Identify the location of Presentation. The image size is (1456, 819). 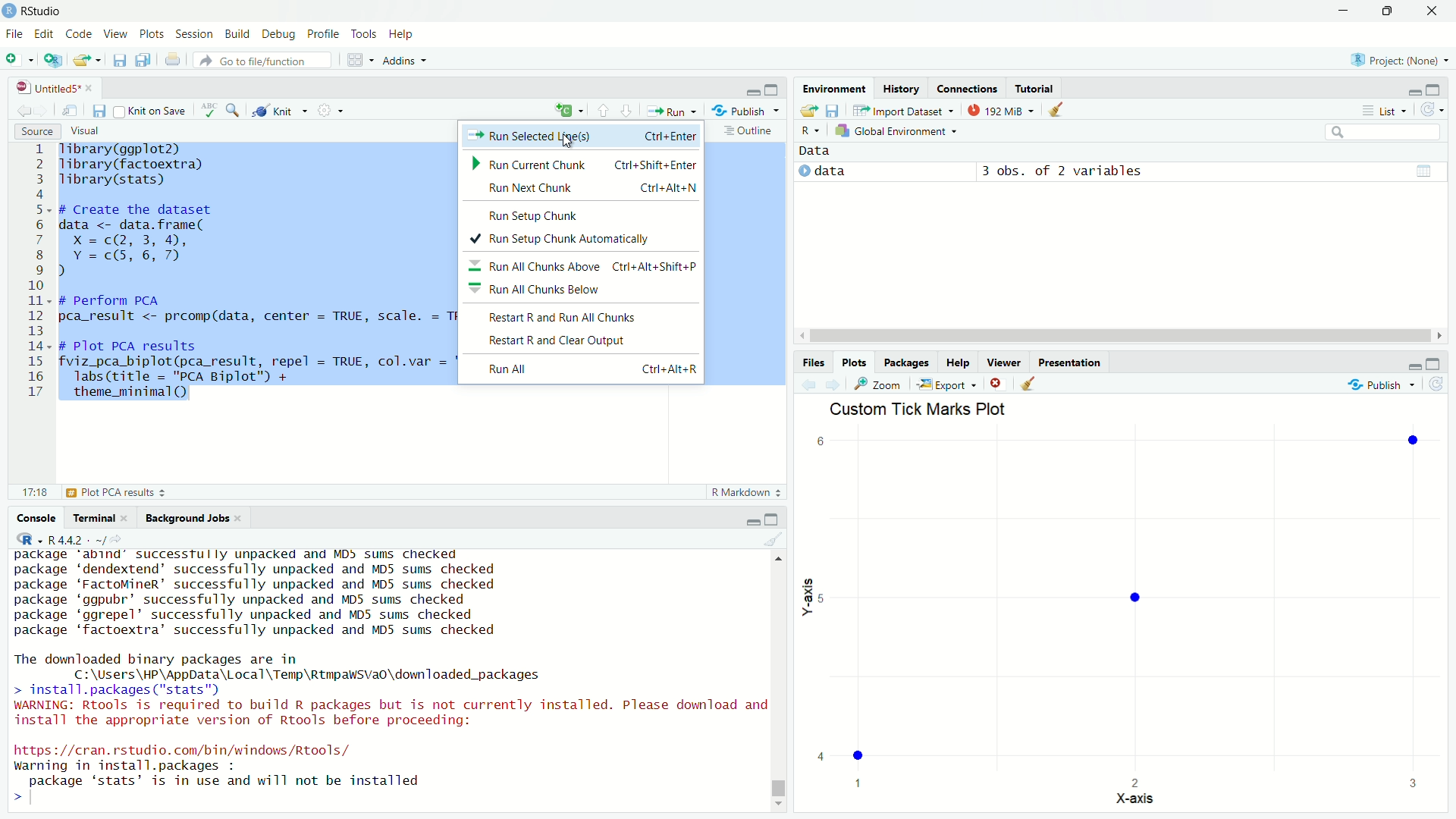
(1070, 362).